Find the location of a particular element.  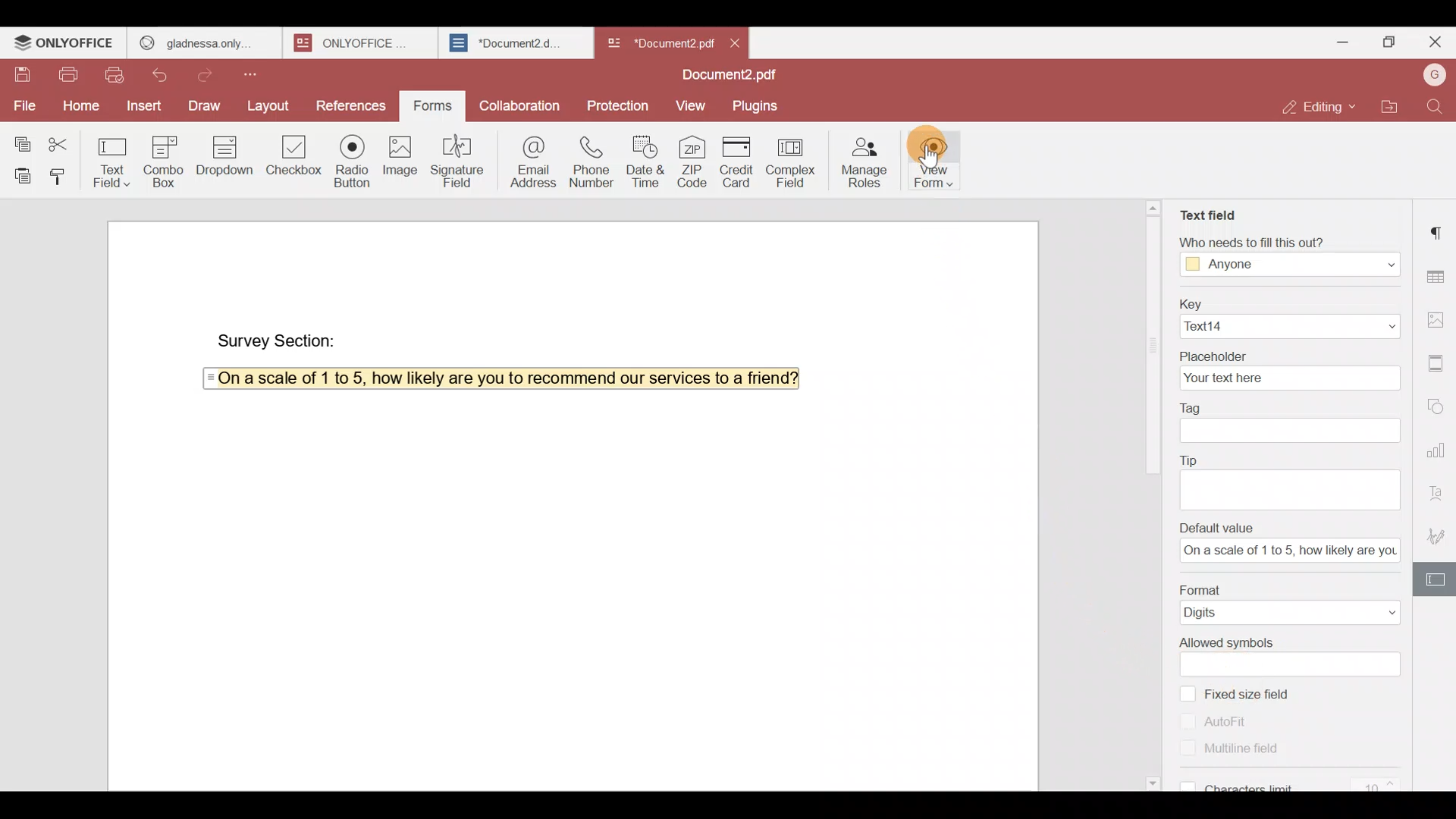

Save is located at coordinates (15, 69).